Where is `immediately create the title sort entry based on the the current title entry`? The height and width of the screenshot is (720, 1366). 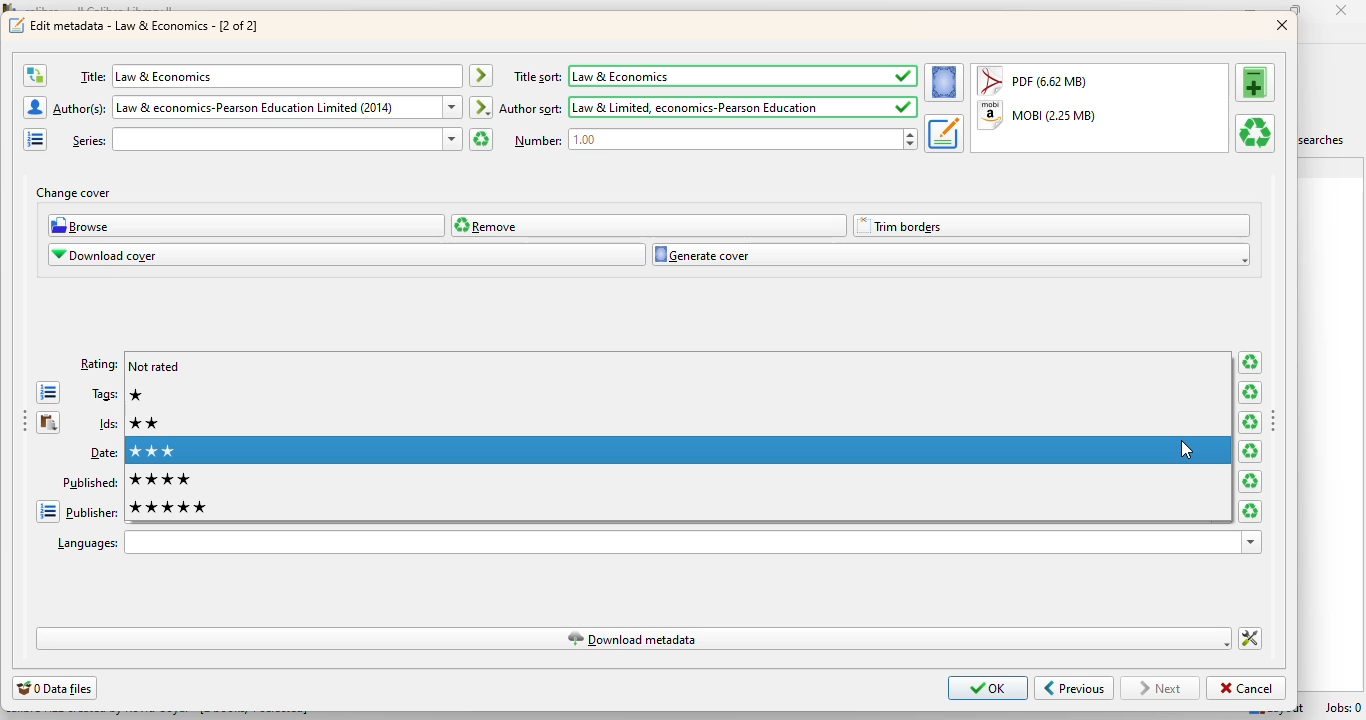 immediately create the title sort entry based on the the current title entry is located at coordinates (481, 76).